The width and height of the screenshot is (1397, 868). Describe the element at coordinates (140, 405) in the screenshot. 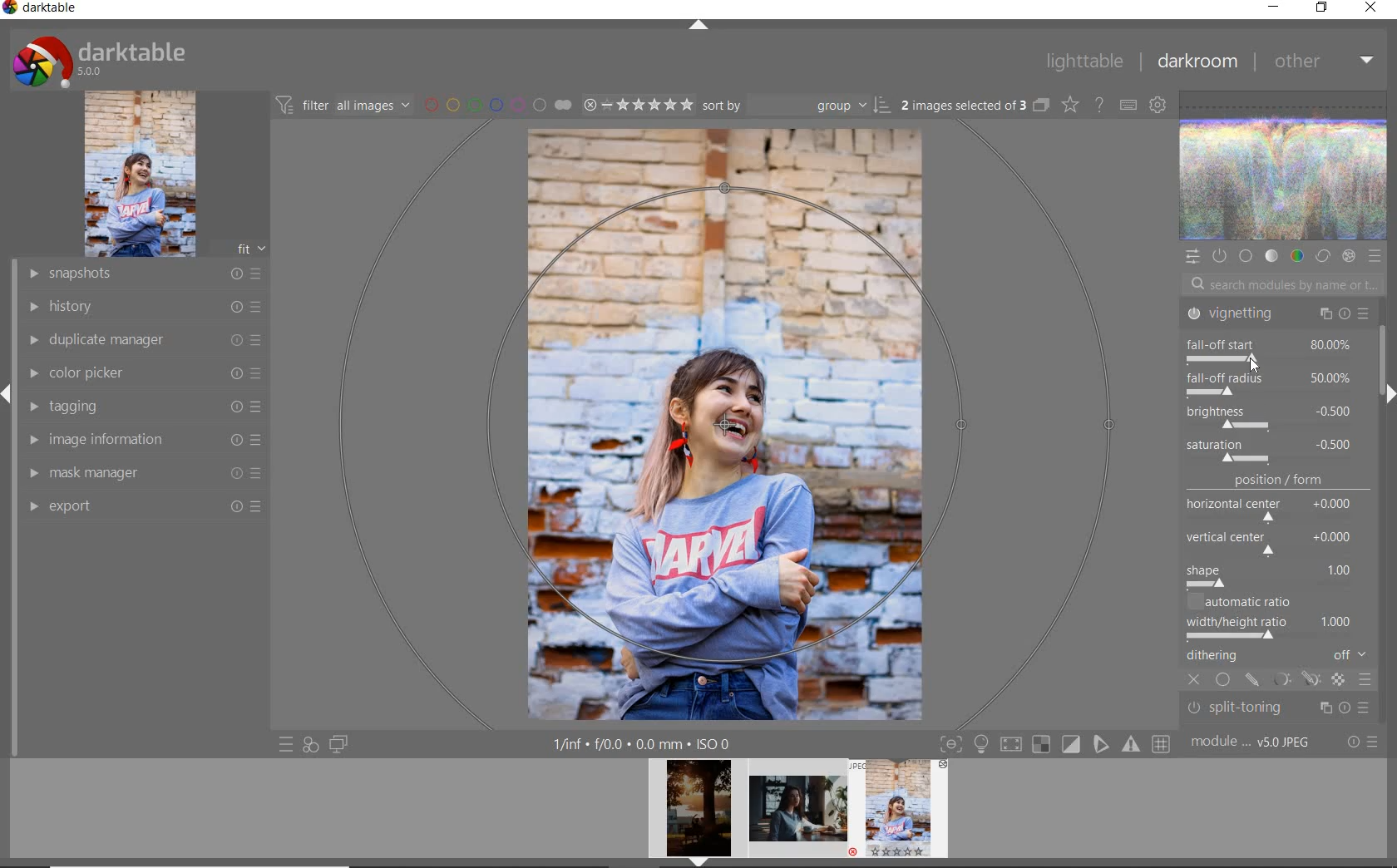

I see `tagging` at that location.